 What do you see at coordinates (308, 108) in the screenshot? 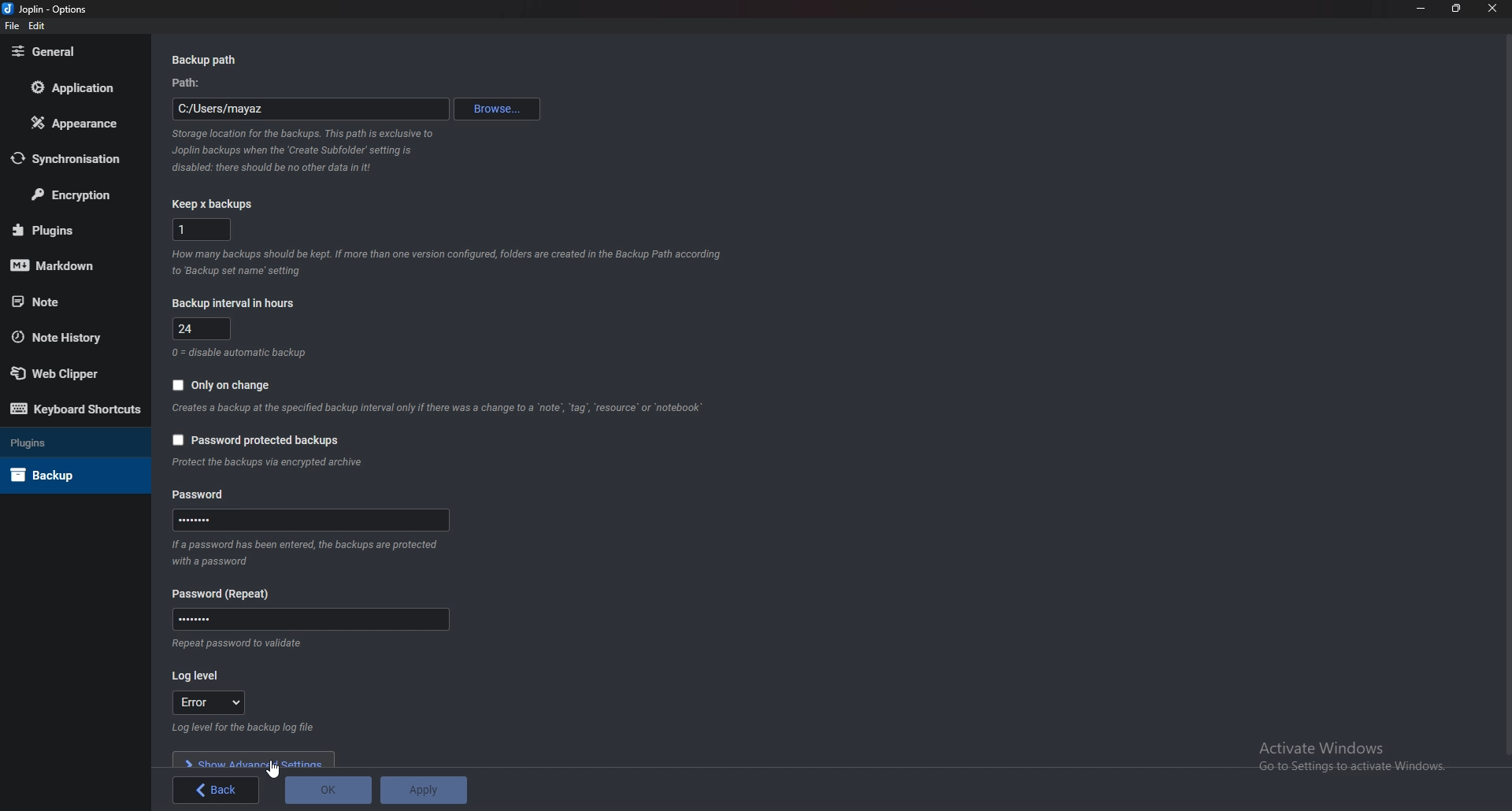
I see `path` at bounding box center [308, 108].